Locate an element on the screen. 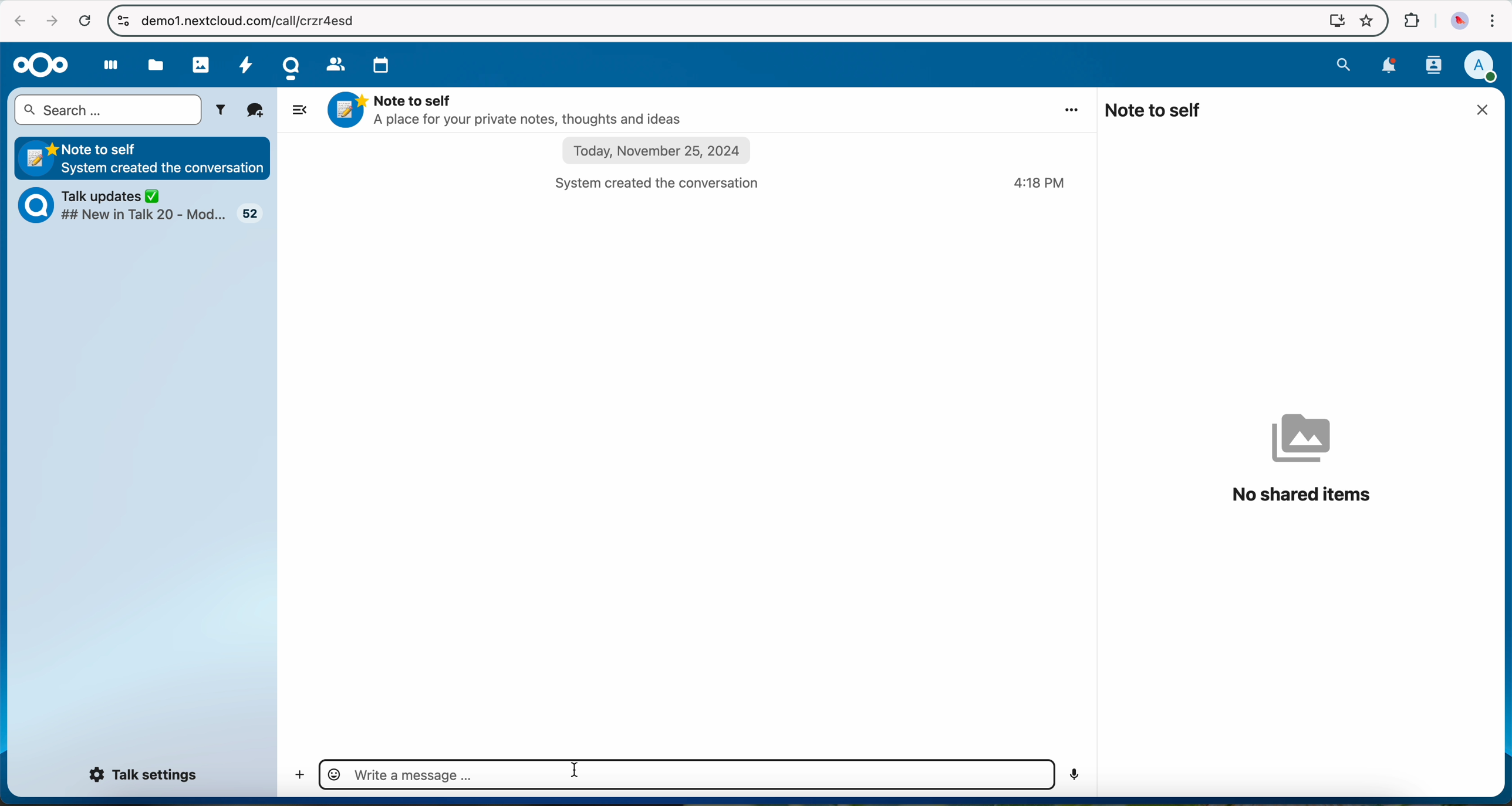  files is located at coordinates (157, 65).